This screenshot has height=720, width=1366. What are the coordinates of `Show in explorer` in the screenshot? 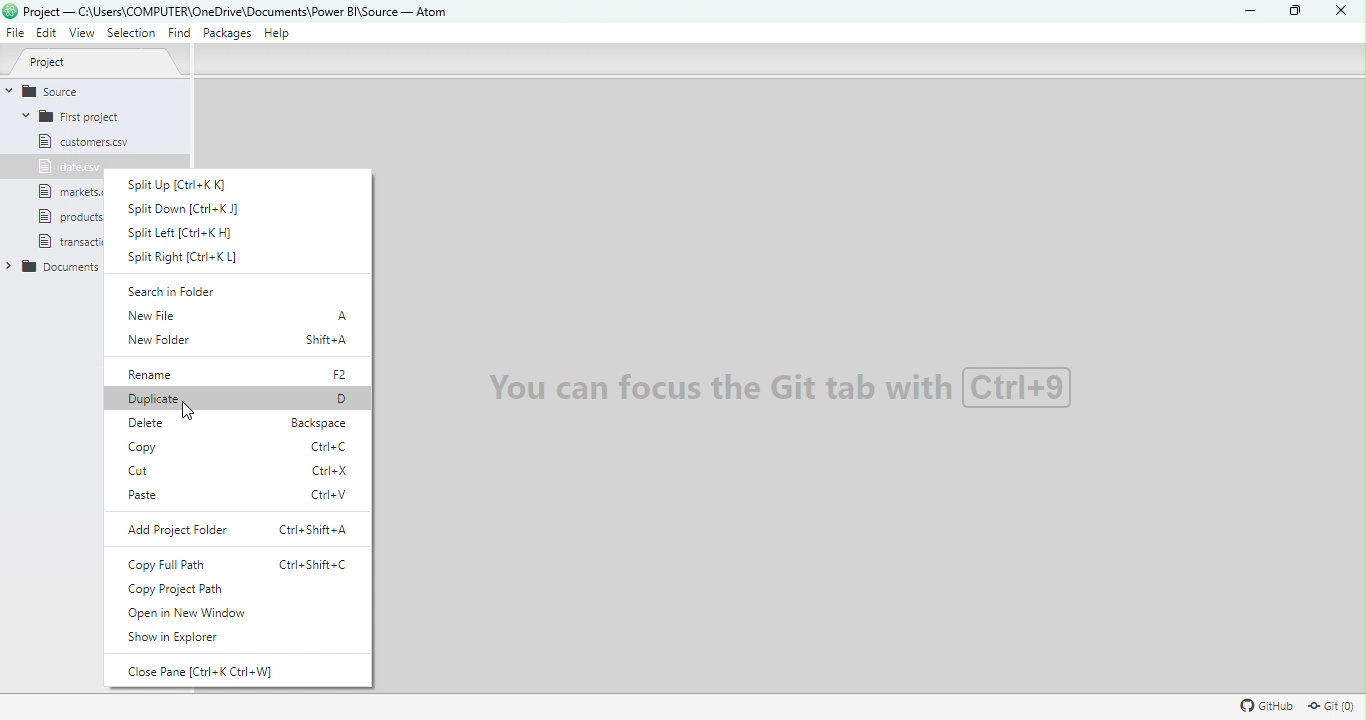 It's located at (178, 639).